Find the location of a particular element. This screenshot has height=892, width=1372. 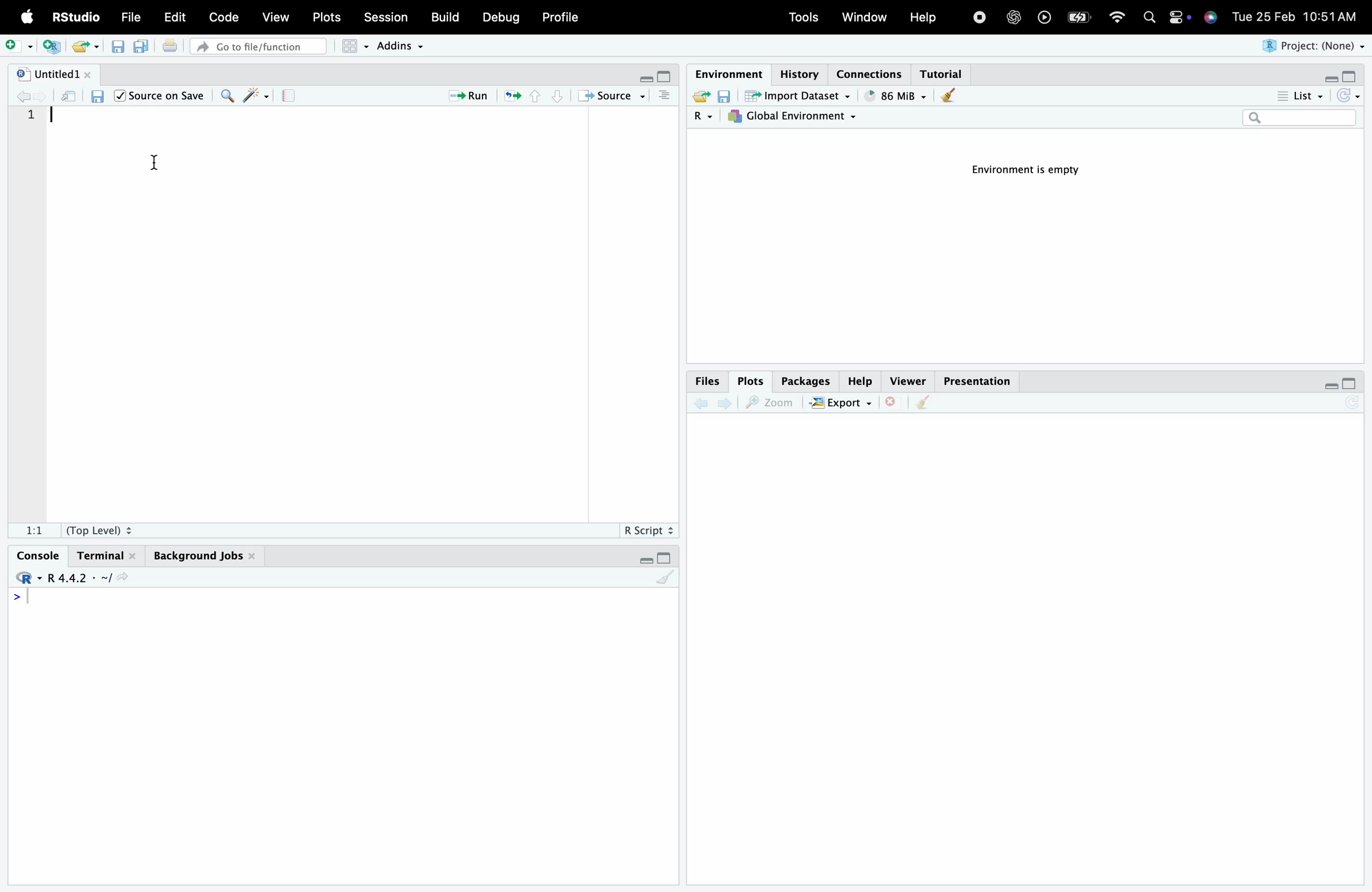

clear is located at coordinates (925, 407).